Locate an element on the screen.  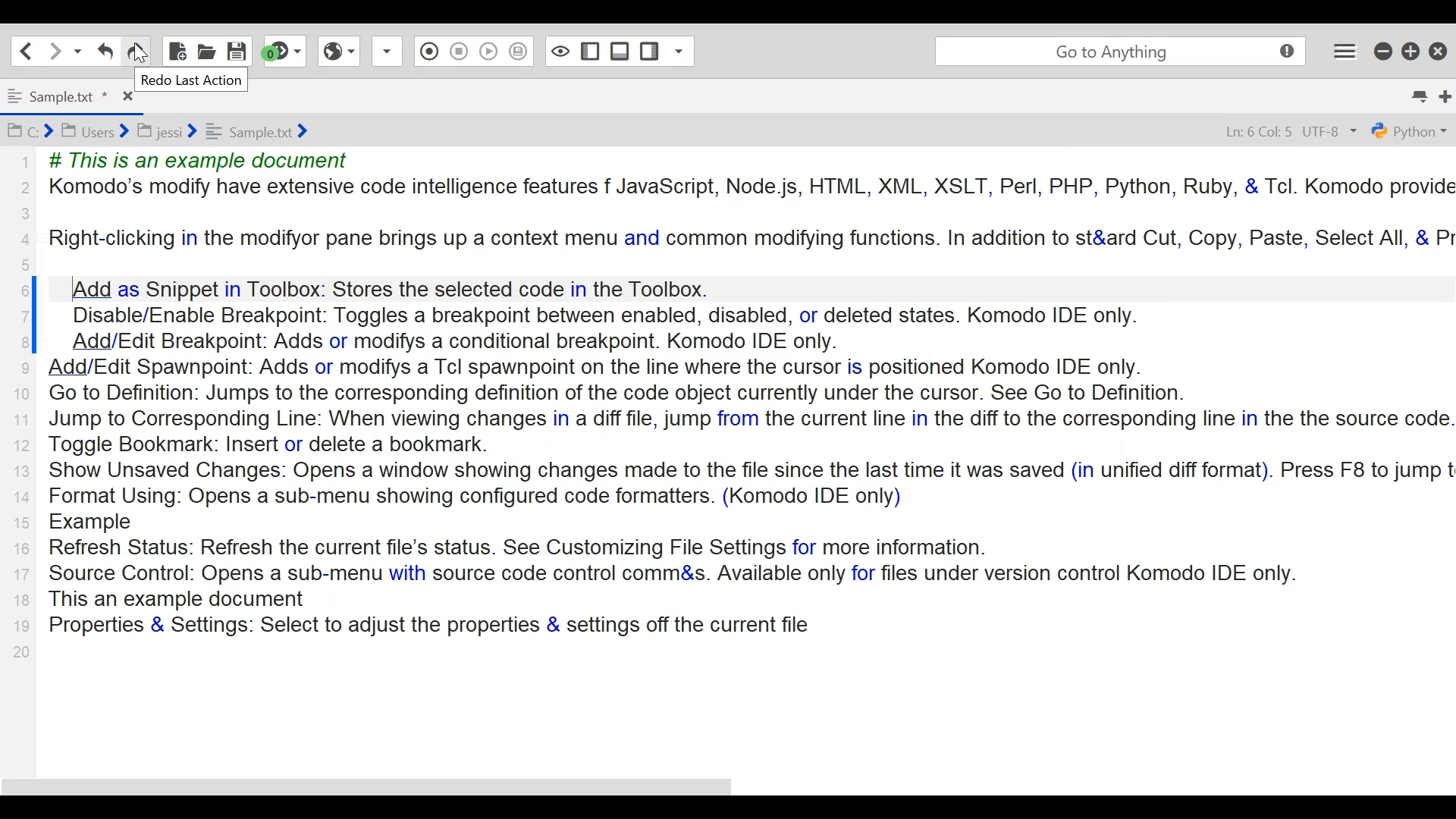
Jessi File is located at coordinates (168, 131).